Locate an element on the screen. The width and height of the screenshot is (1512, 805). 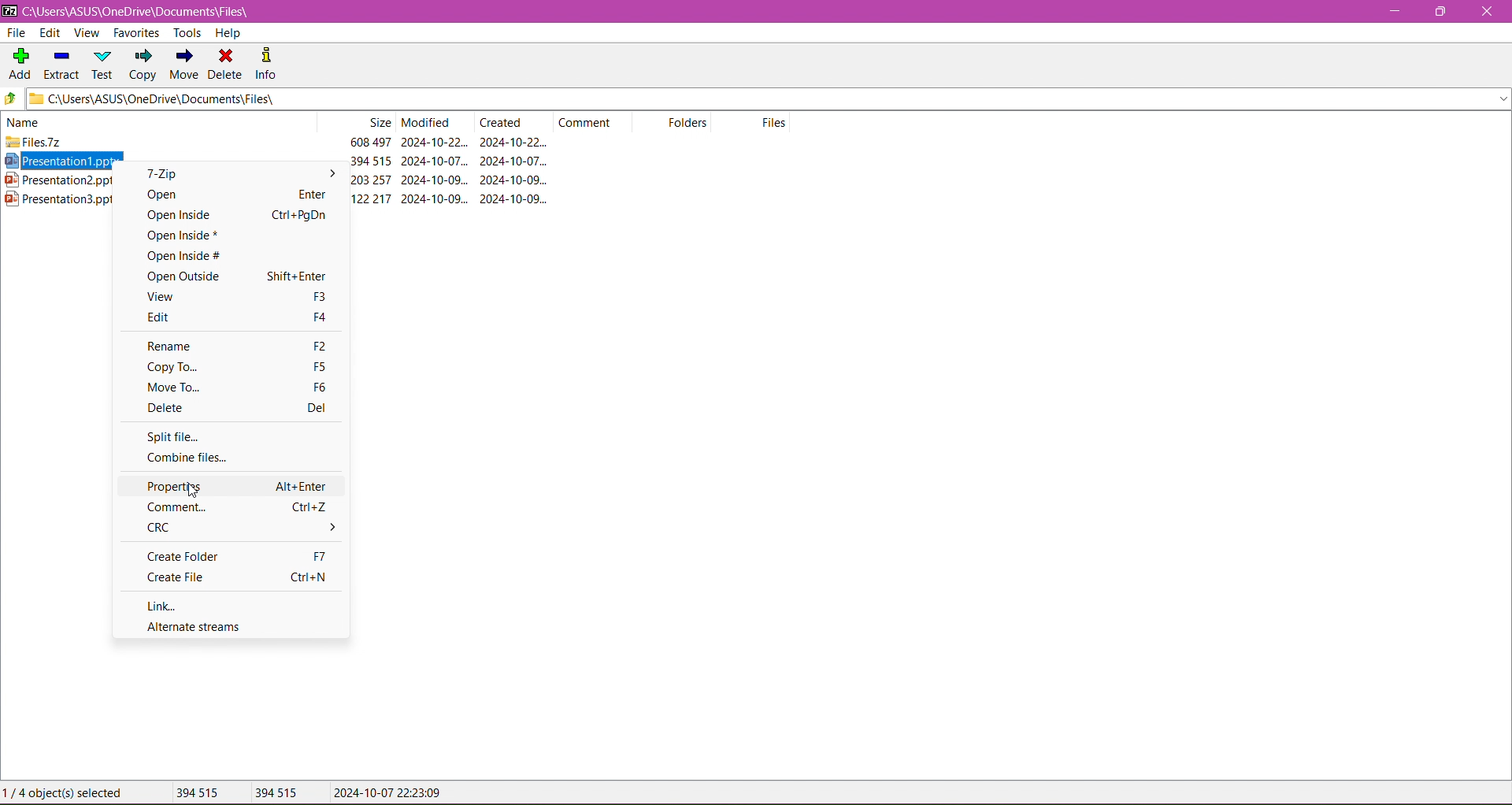
Combine files is located at coordinates (193, 461).